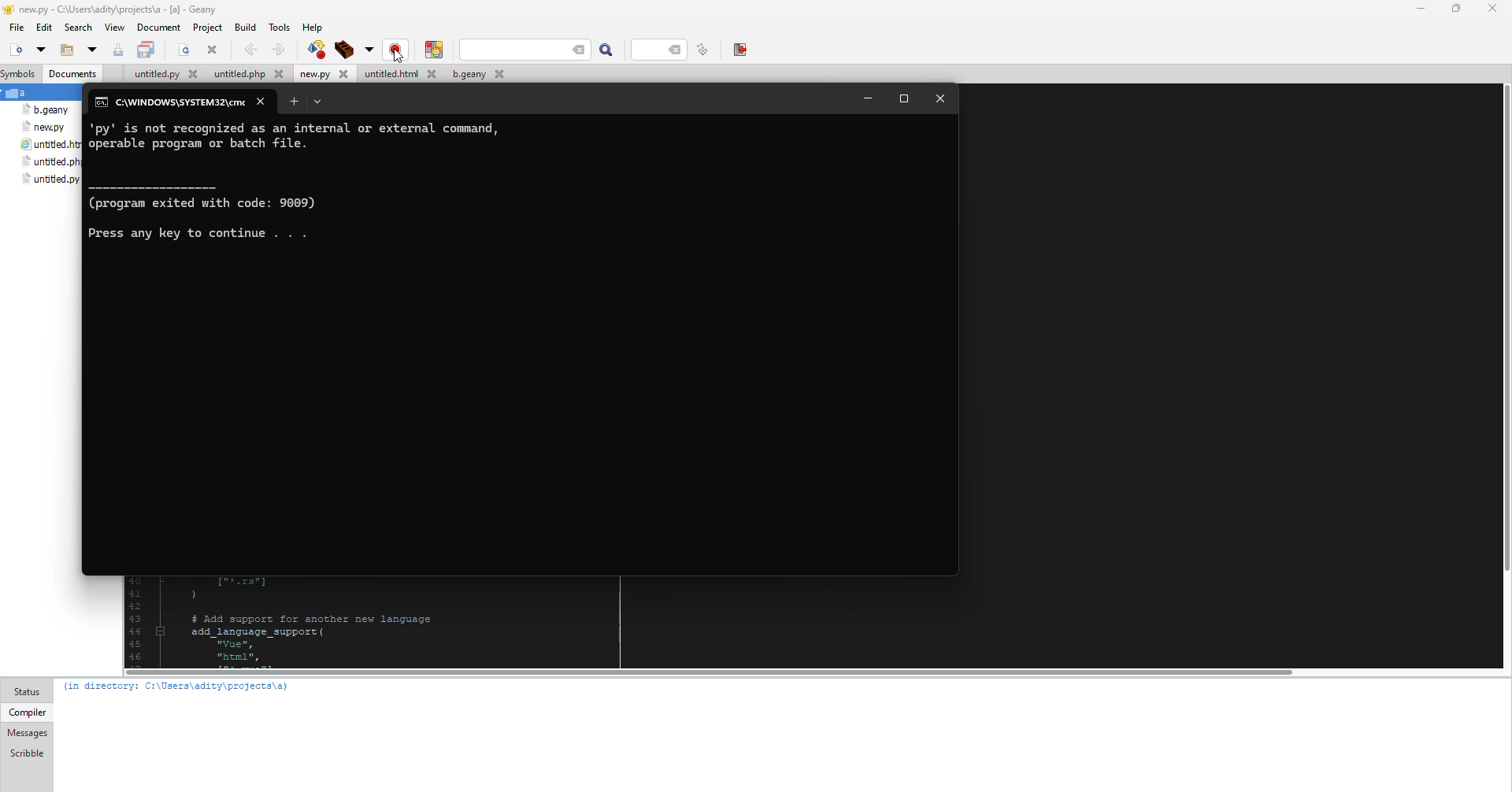 Image resolution: width=1512 pixels, height=792 pixels. What do you see at coordinates (209, 233) in the screenshot?
I see `press any key` at bounding box center [209, 233].